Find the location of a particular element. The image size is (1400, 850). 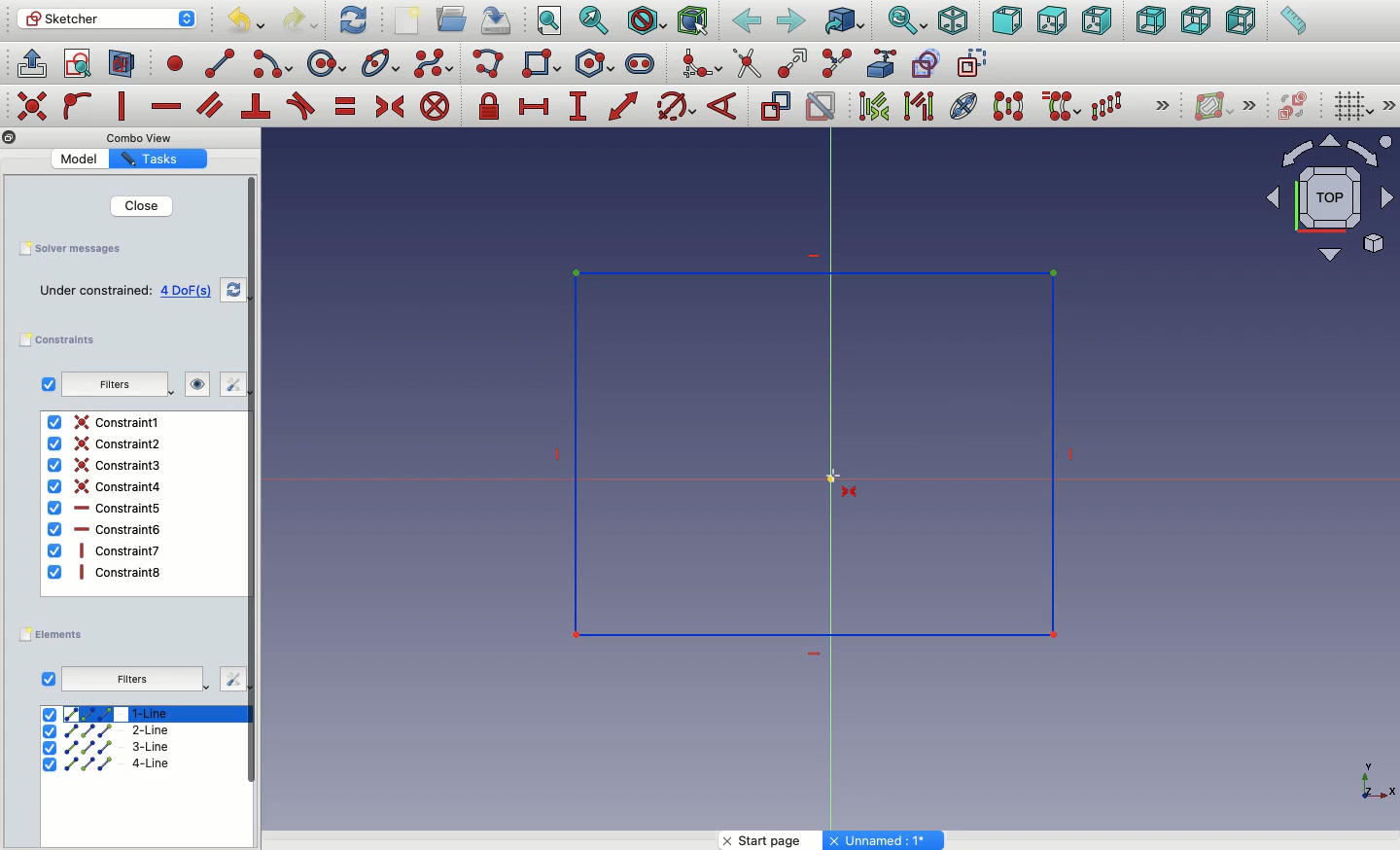

Select associated constrains is located at coordinates (870, 106).